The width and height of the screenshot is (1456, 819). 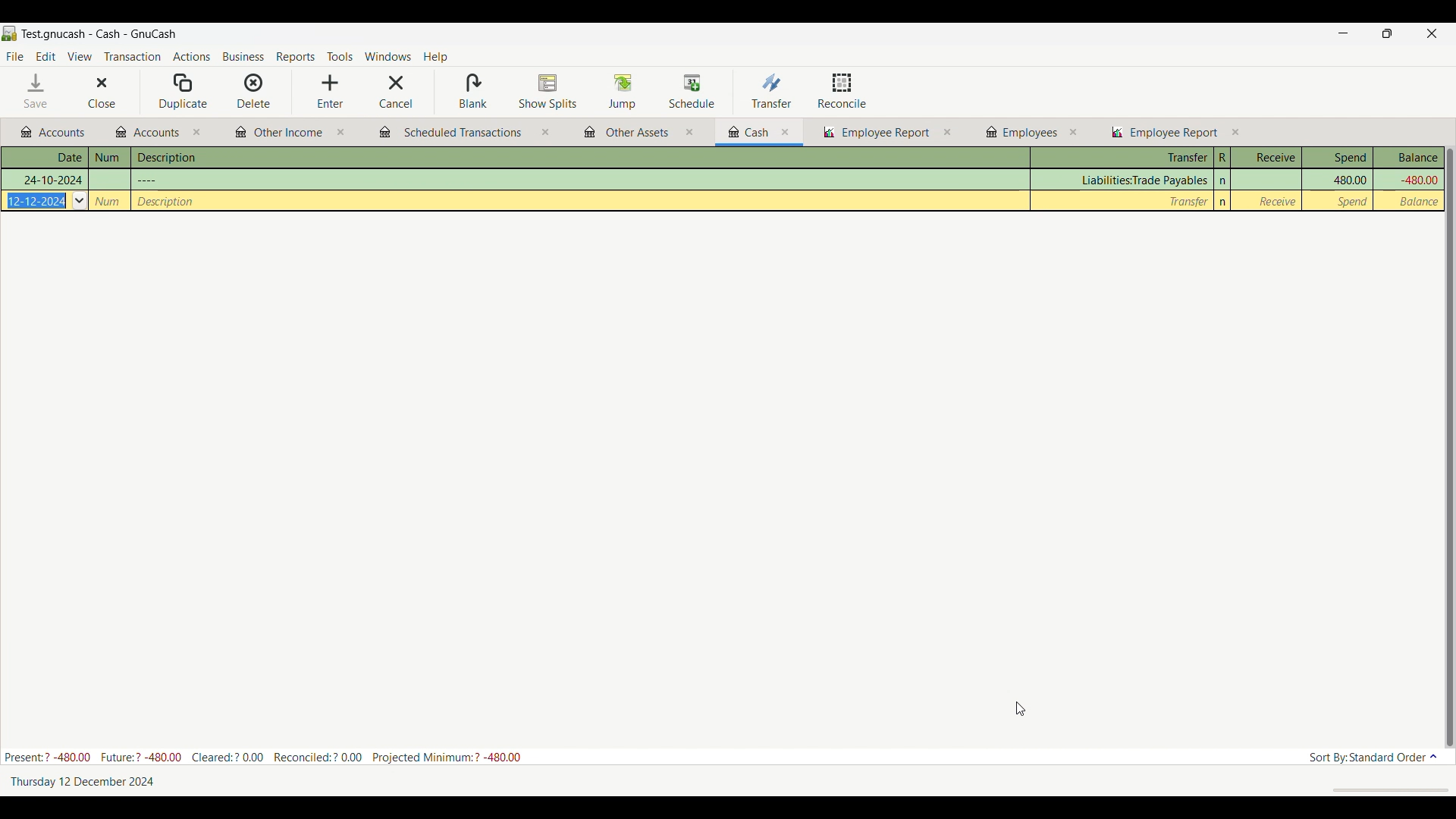 I want to click on Enter, so click(x=329, y=92).